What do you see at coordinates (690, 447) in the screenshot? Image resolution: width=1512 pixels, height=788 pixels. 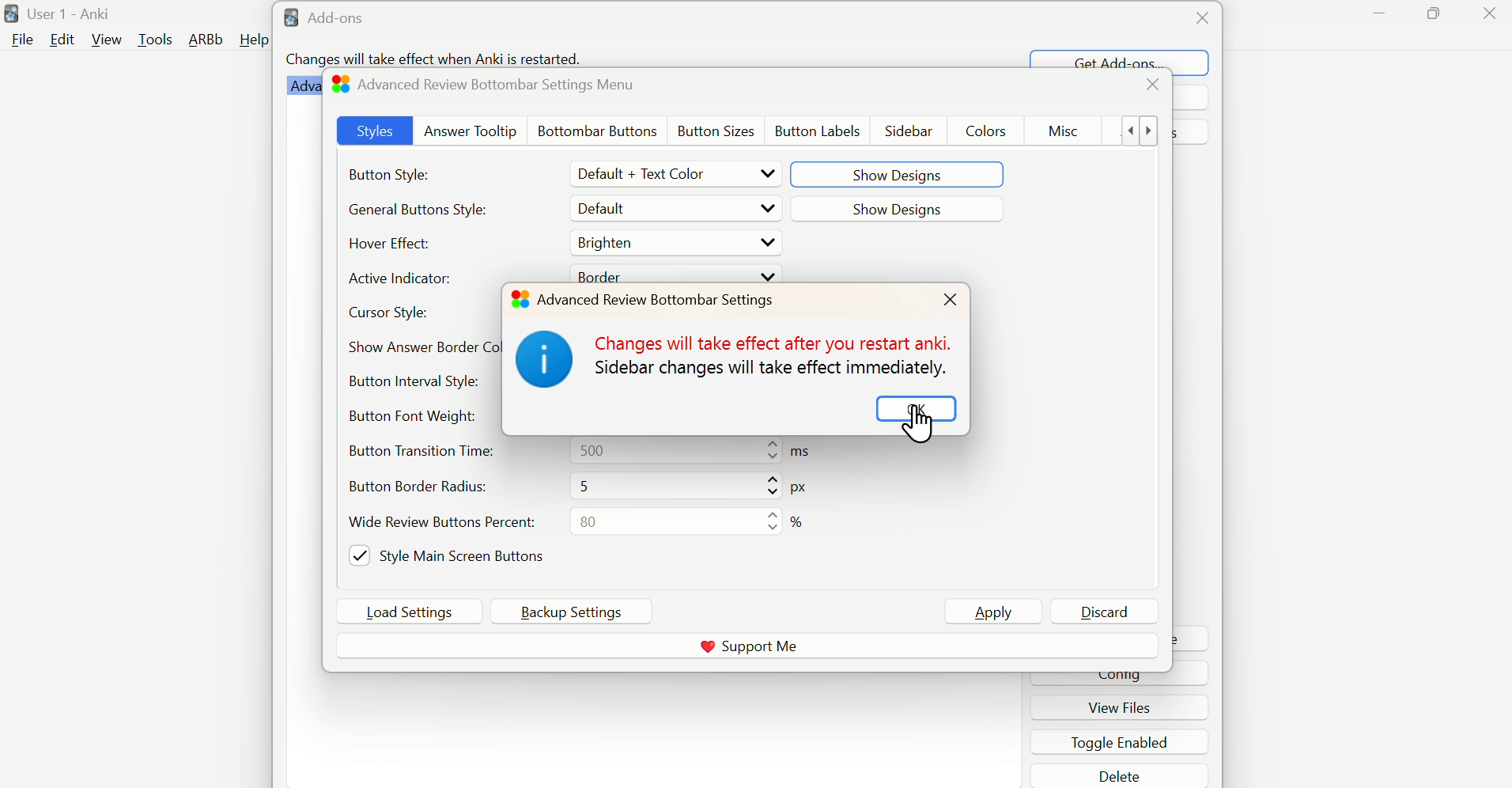 I see `500 ms` at bounding box center [690, 447].